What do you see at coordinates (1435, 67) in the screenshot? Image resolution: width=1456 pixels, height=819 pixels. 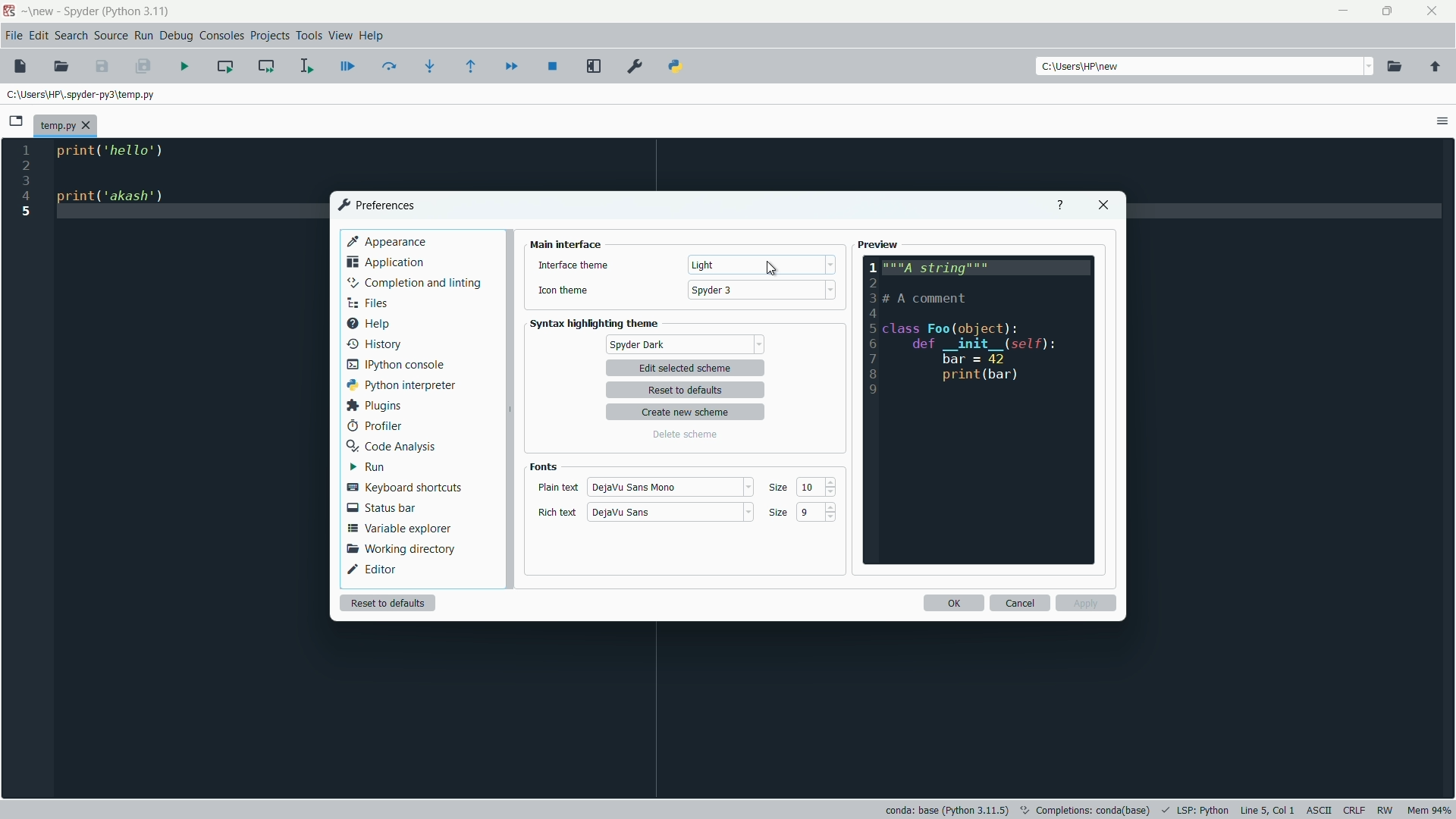 I see `parent directory` at bounding box center [1435, 67].